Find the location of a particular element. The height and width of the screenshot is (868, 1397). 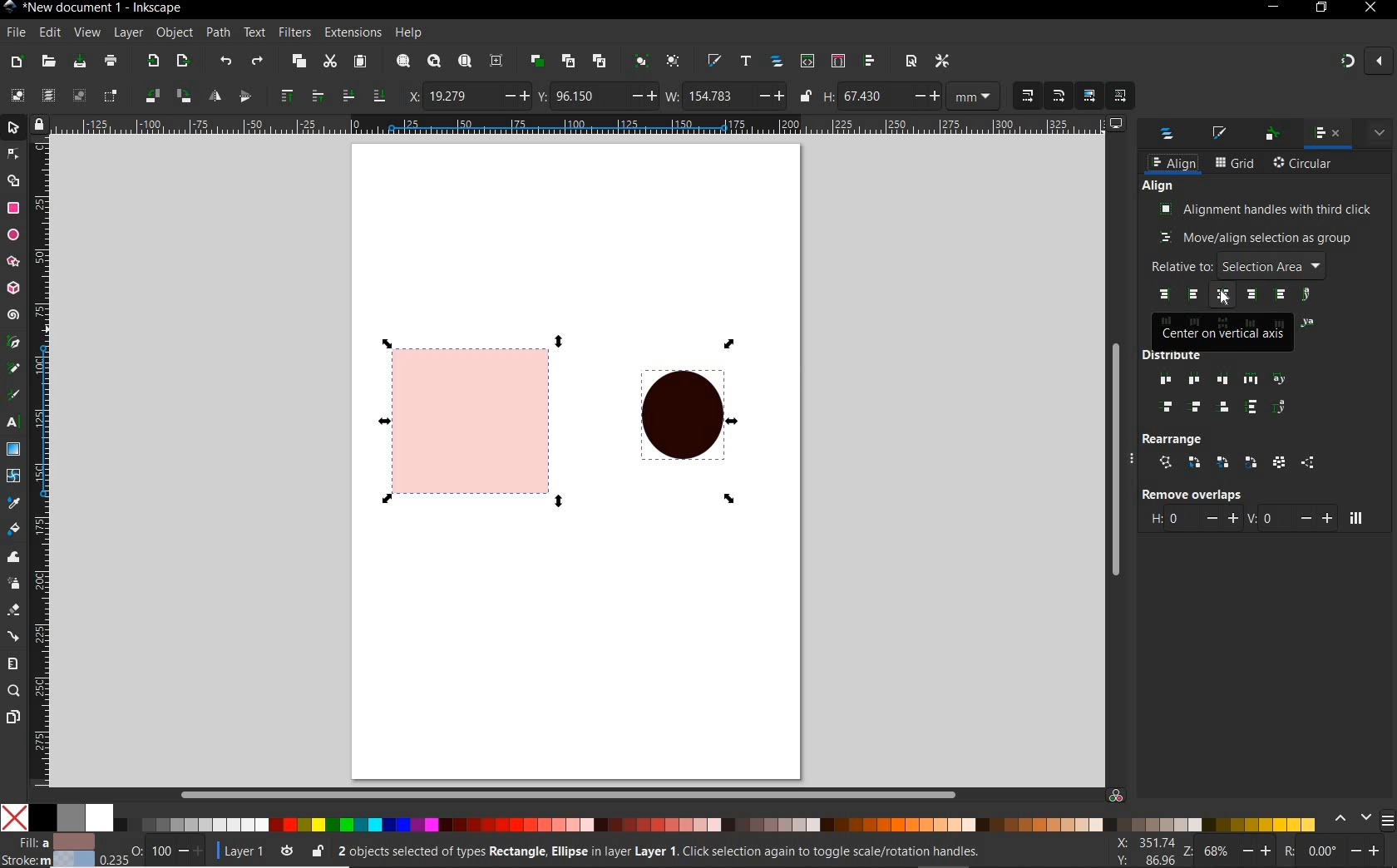

ALIGN RIGHT EDGES is located at coordinates (1251, 295).